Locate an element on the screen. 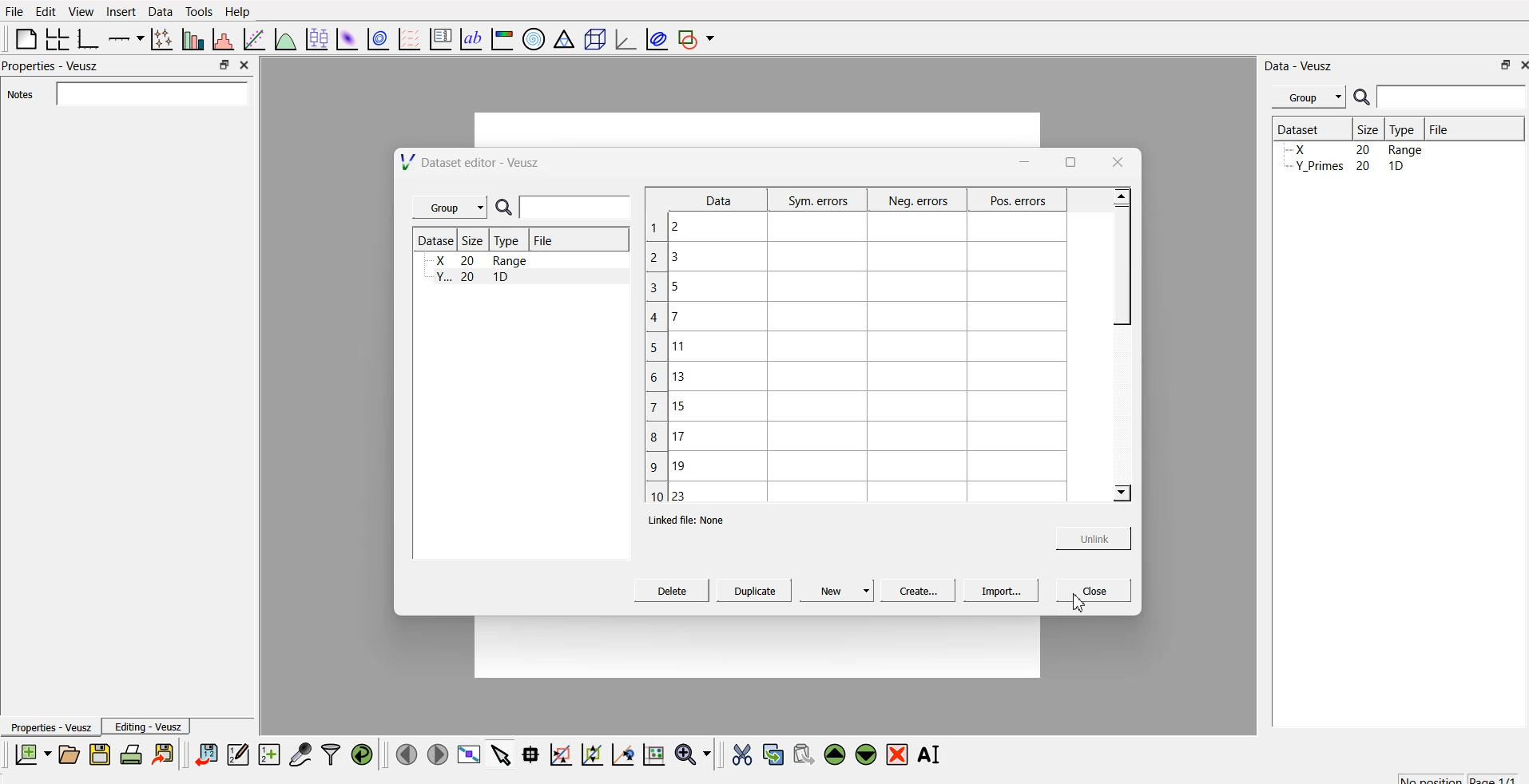 The image size is (1529, 784). histogram of dataset is located at coordinates (222, 40).